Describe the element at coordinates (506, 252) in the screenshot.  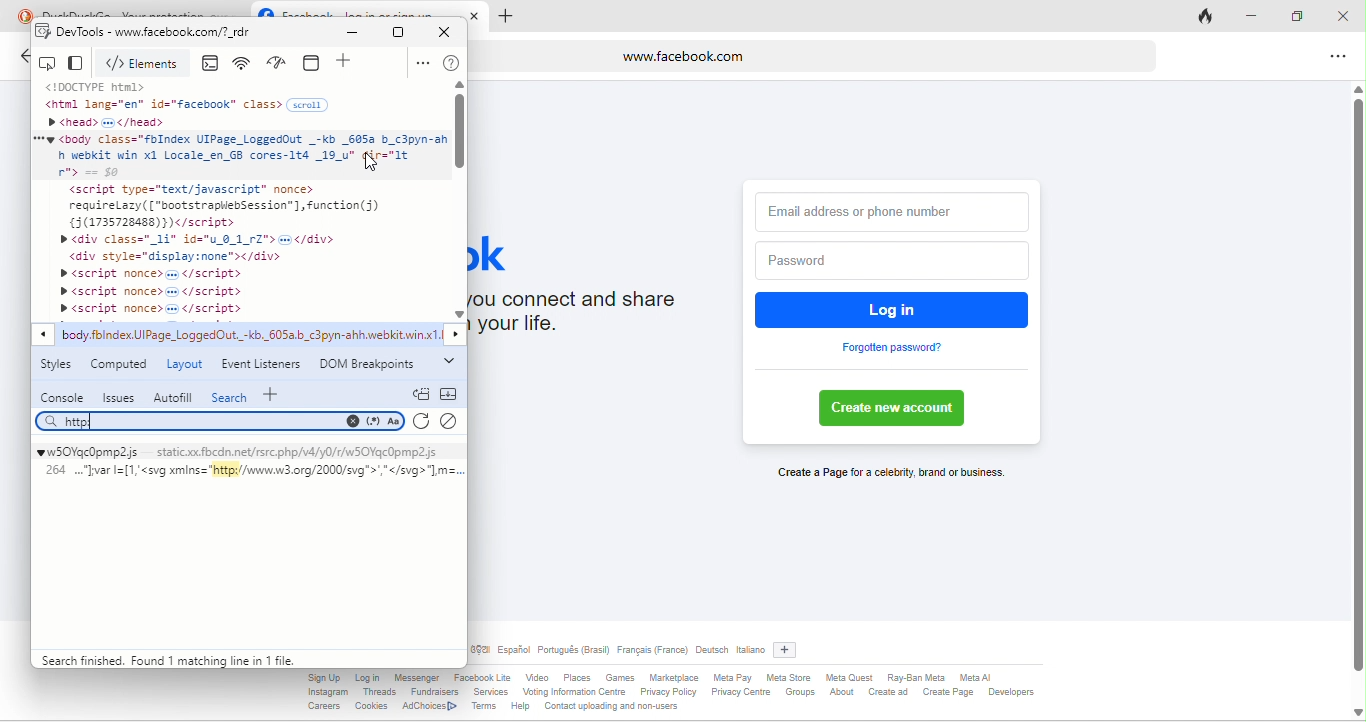
I see `facebook` at that location.